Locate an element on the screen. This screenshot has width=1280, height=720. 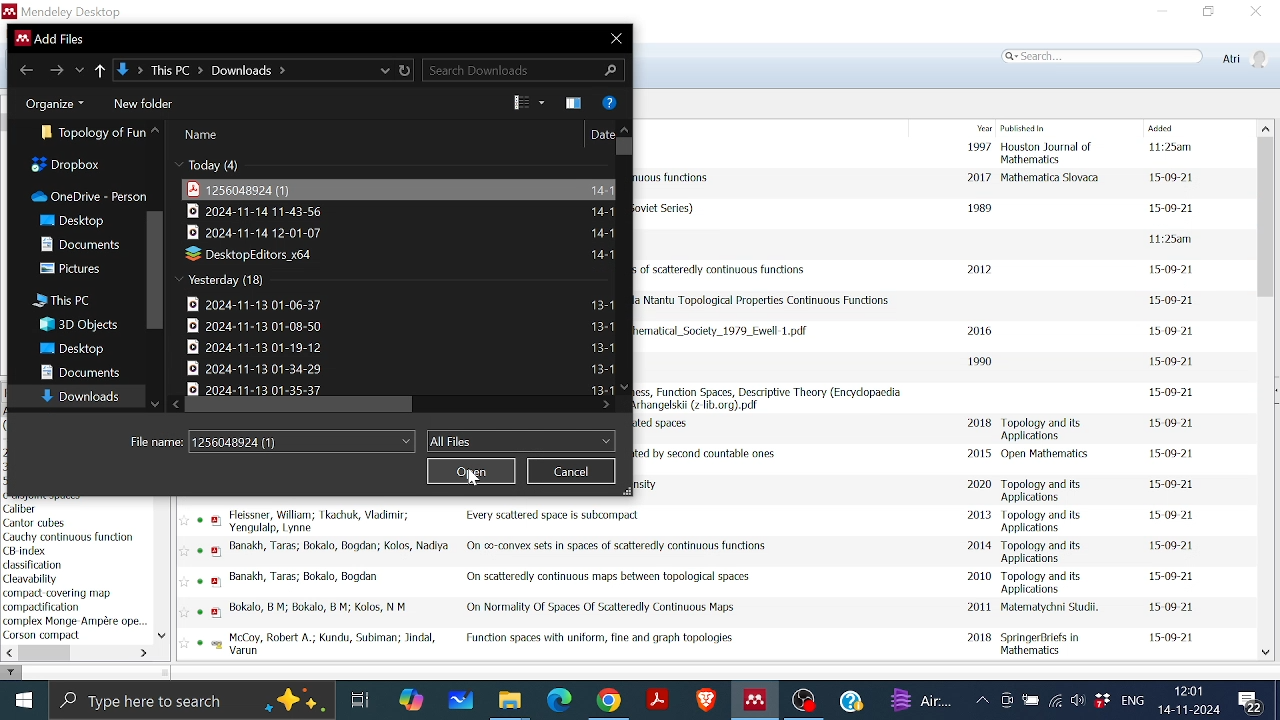
1997 is located at coordinates (975, 148).